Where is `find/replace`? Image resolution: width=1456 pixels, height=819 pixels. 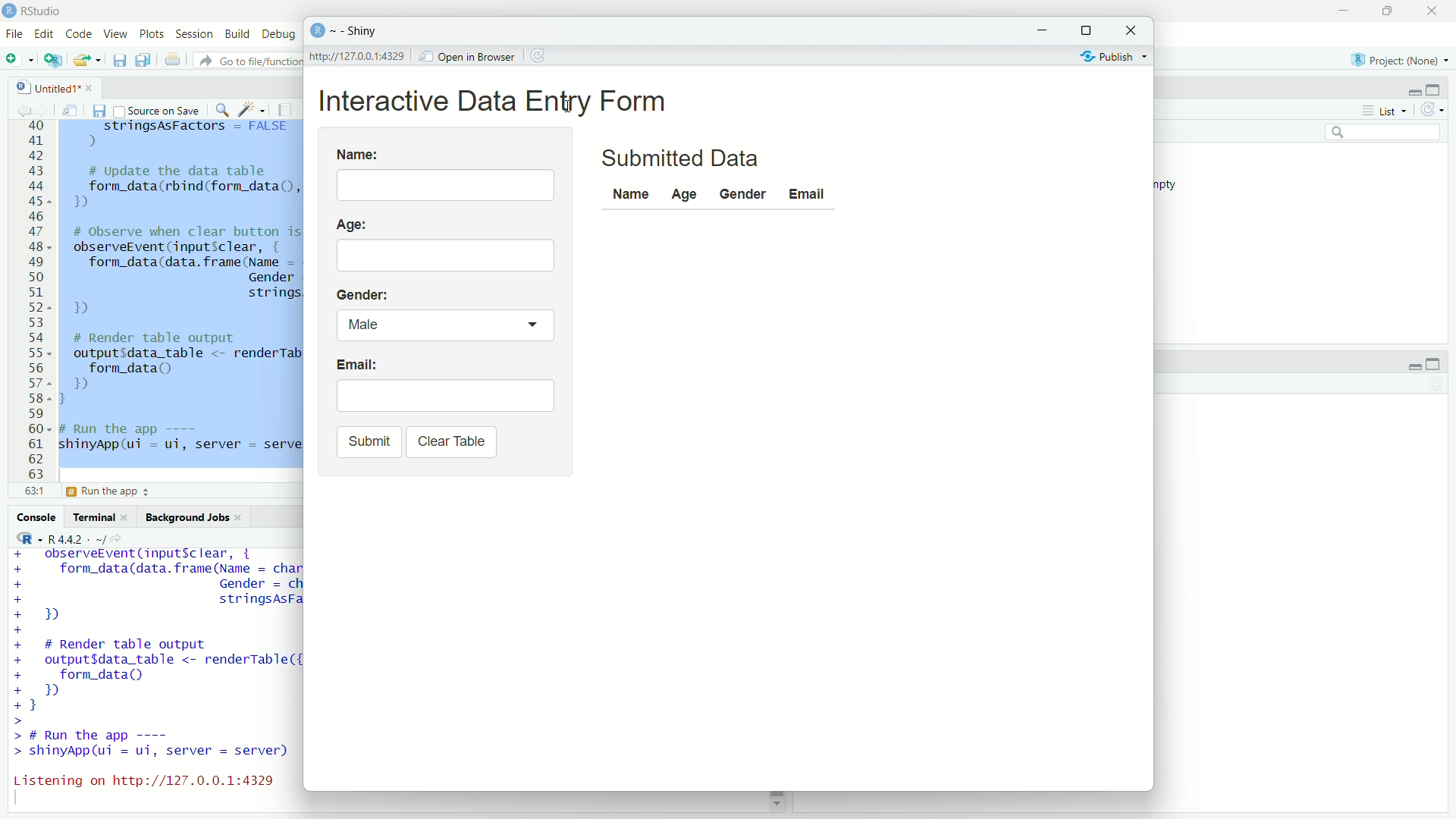 find/replace is located at coordinates (220, 108).